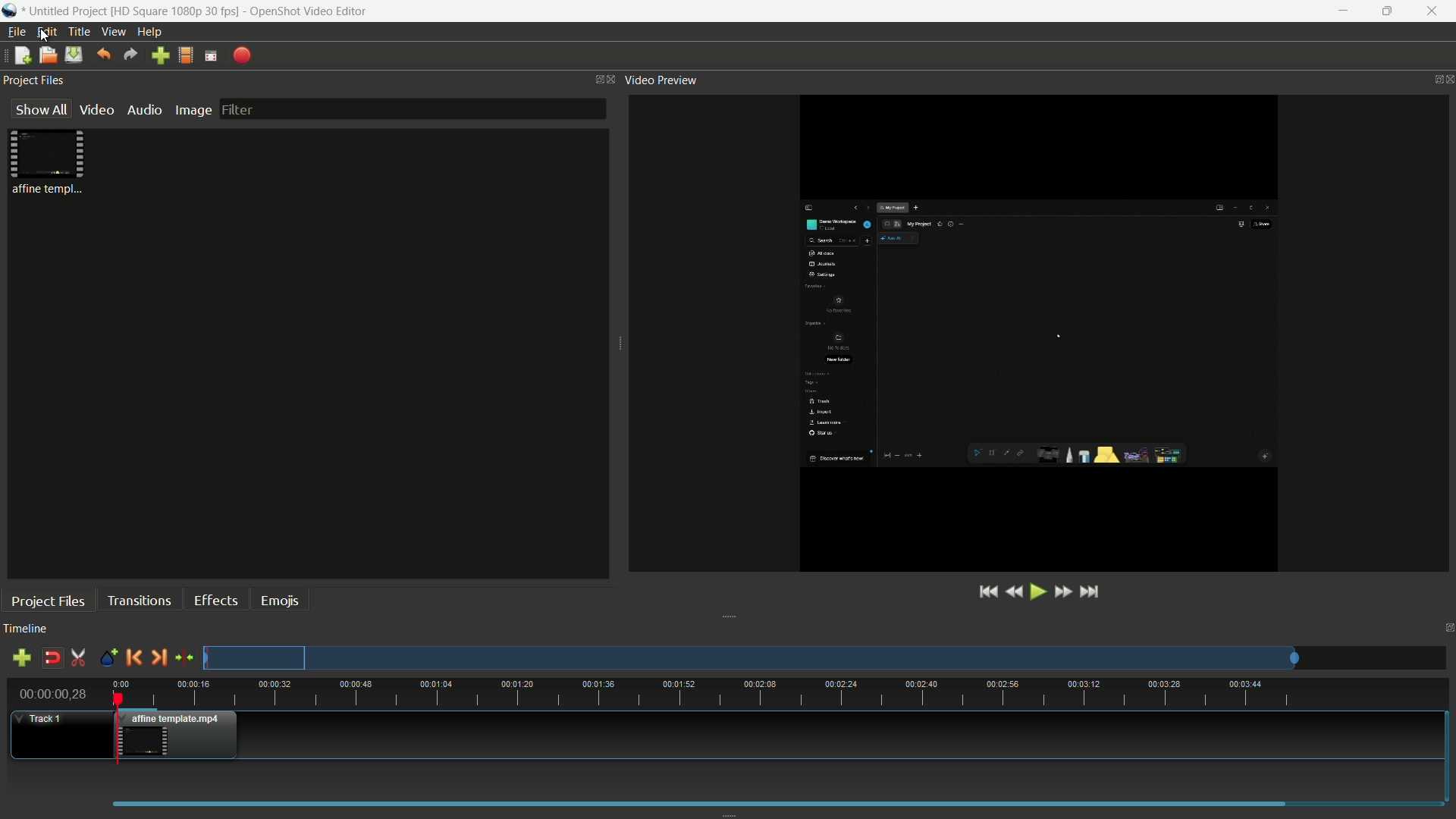 This screenshot has width=1456, height=819. Describe the element at coordinates (96, 110) in the screenshot. I see `video` at that location.